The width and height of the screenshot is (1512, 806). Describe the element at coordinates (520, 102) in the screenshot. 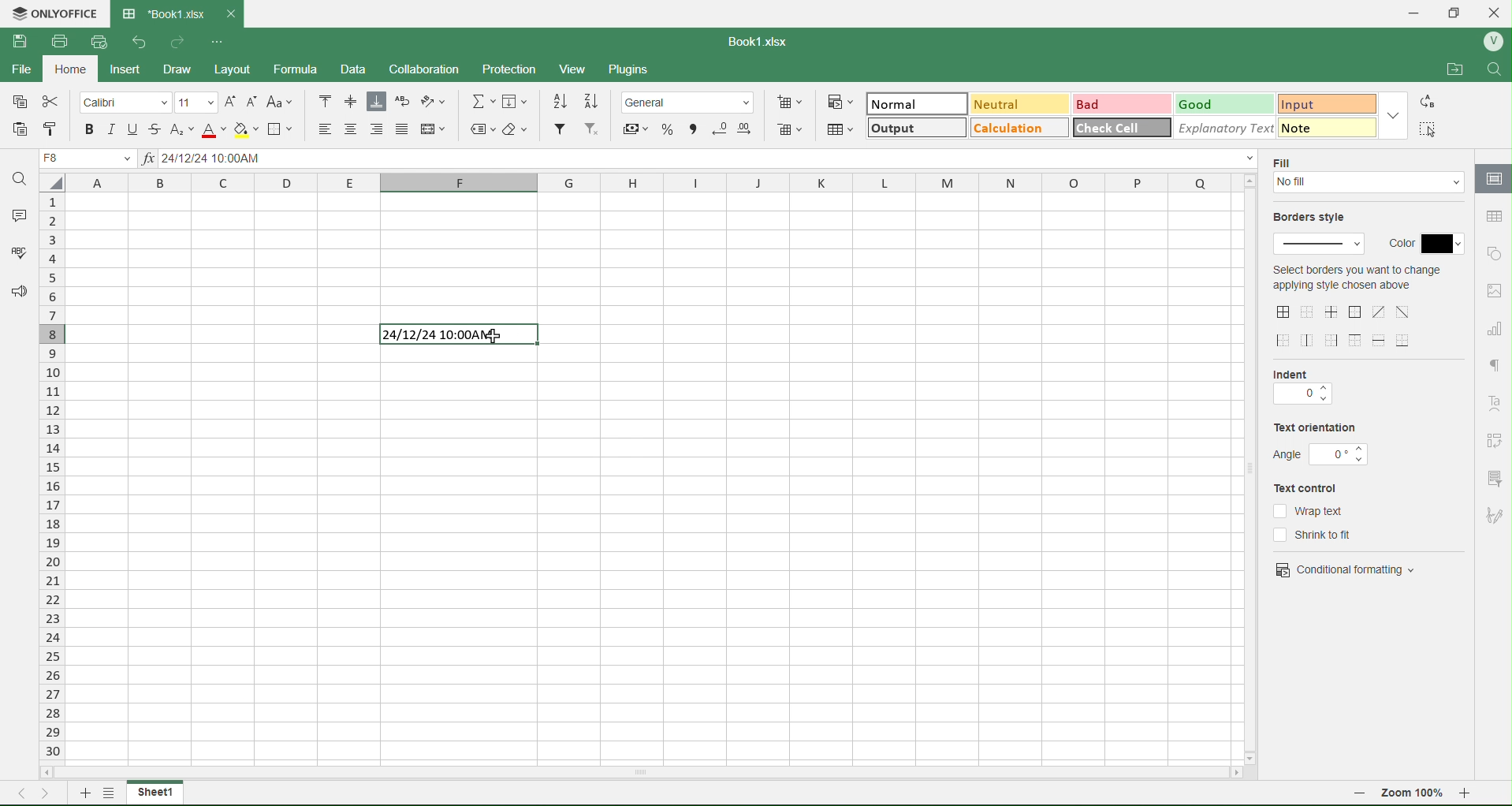

I see `Fill` at that location.